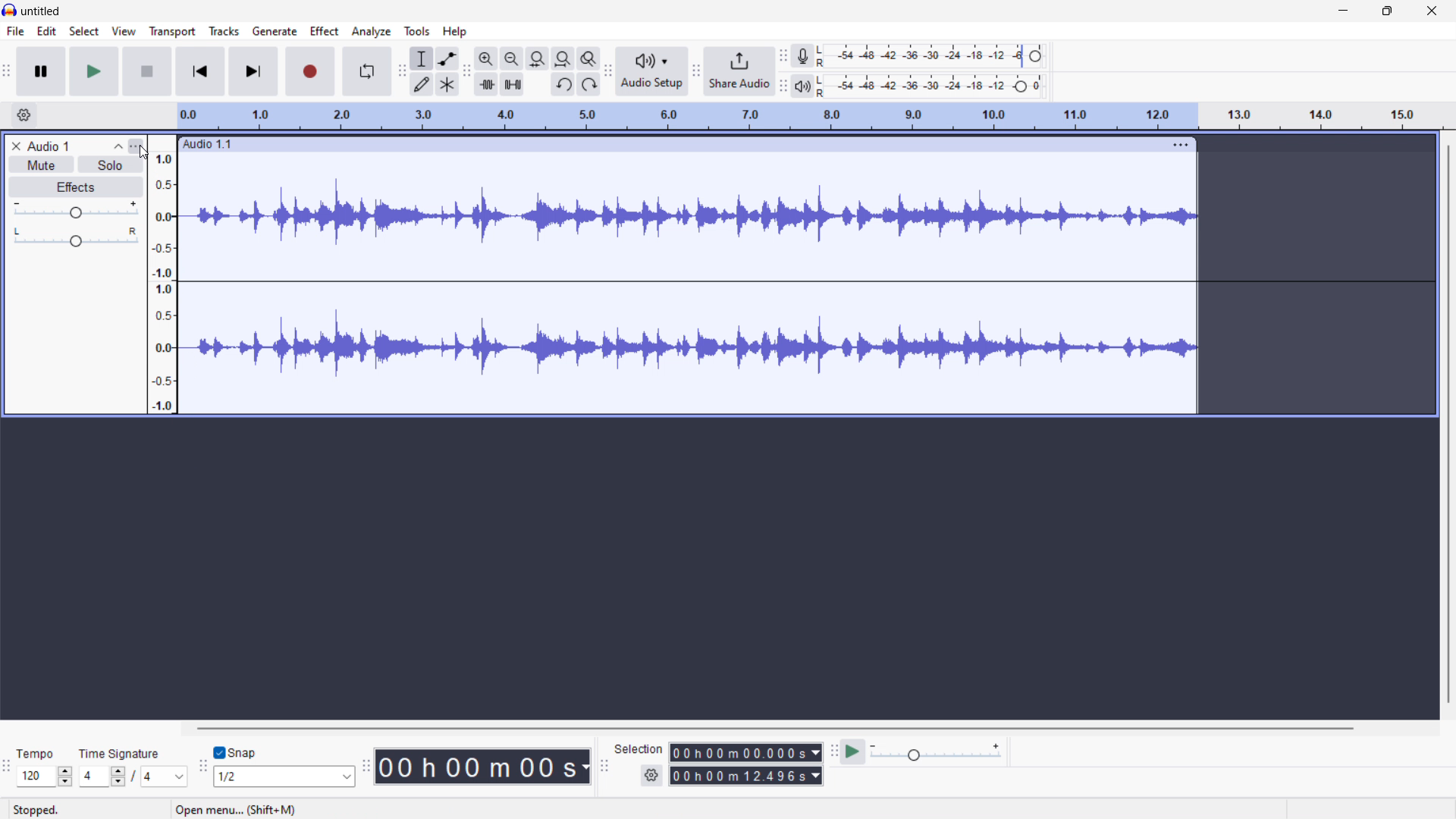 This screenshot has width=1456, height=819. What do you see at coordinates (739, 71) in the screenshot?
I see `share audio` at bounding box center [739, 71].